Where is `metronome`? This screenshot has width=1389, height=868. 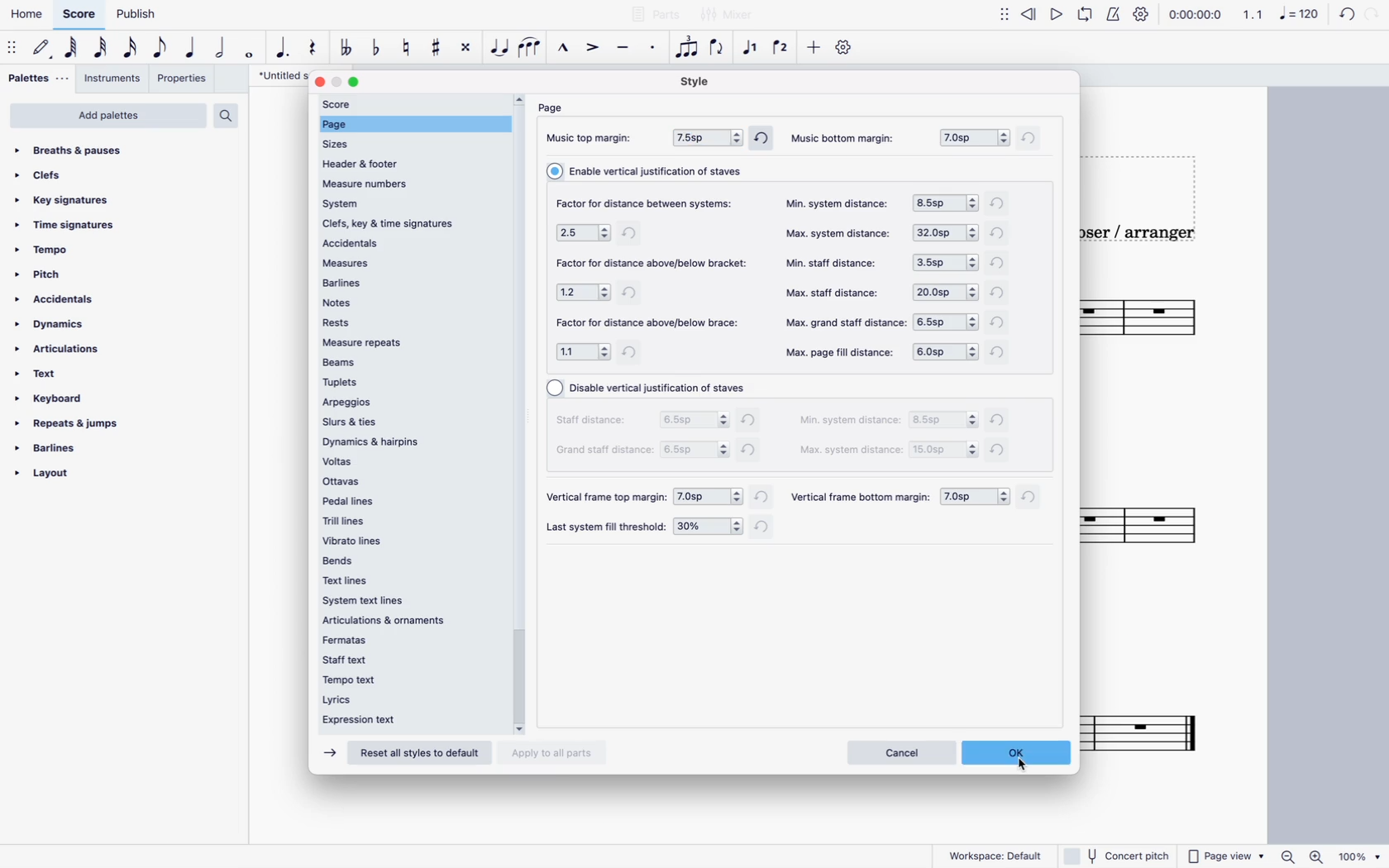 metronome is located at coordinates (1115, 17).